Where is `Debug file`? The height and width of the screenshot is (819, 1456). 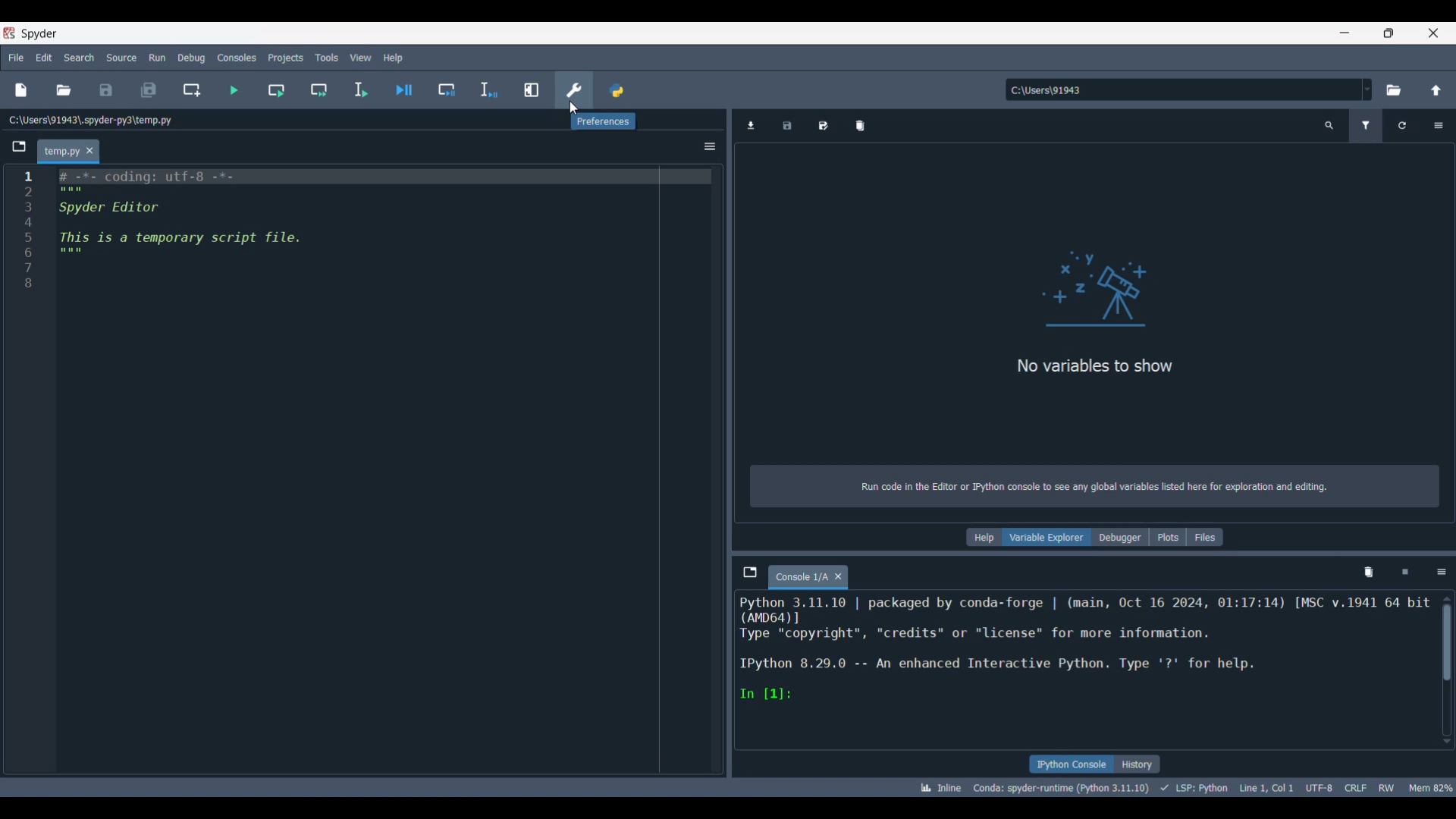 Debug file is located at coordinates (404, 89).